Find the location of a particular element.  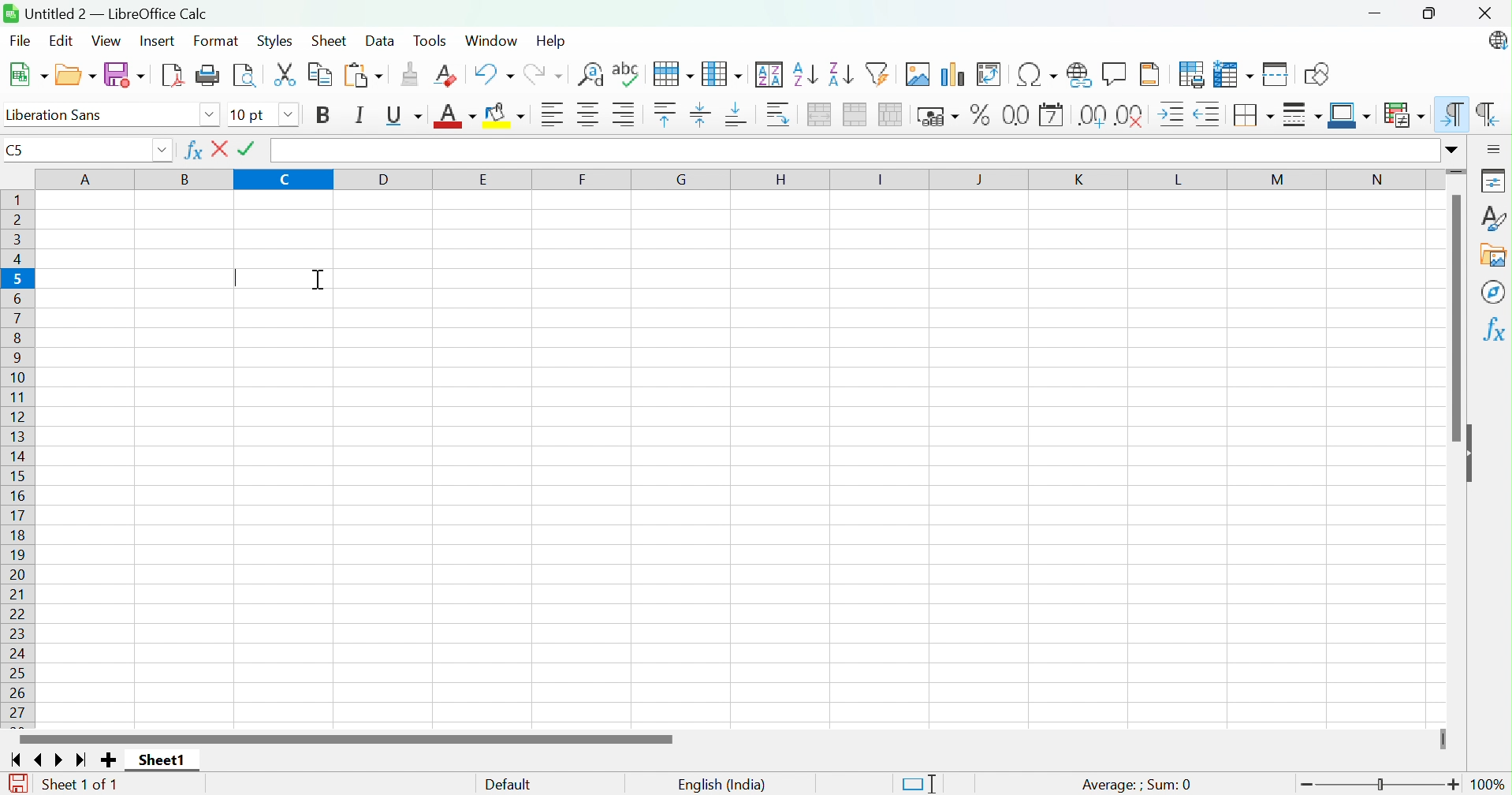

Edit is located at coordinates (62, 43).